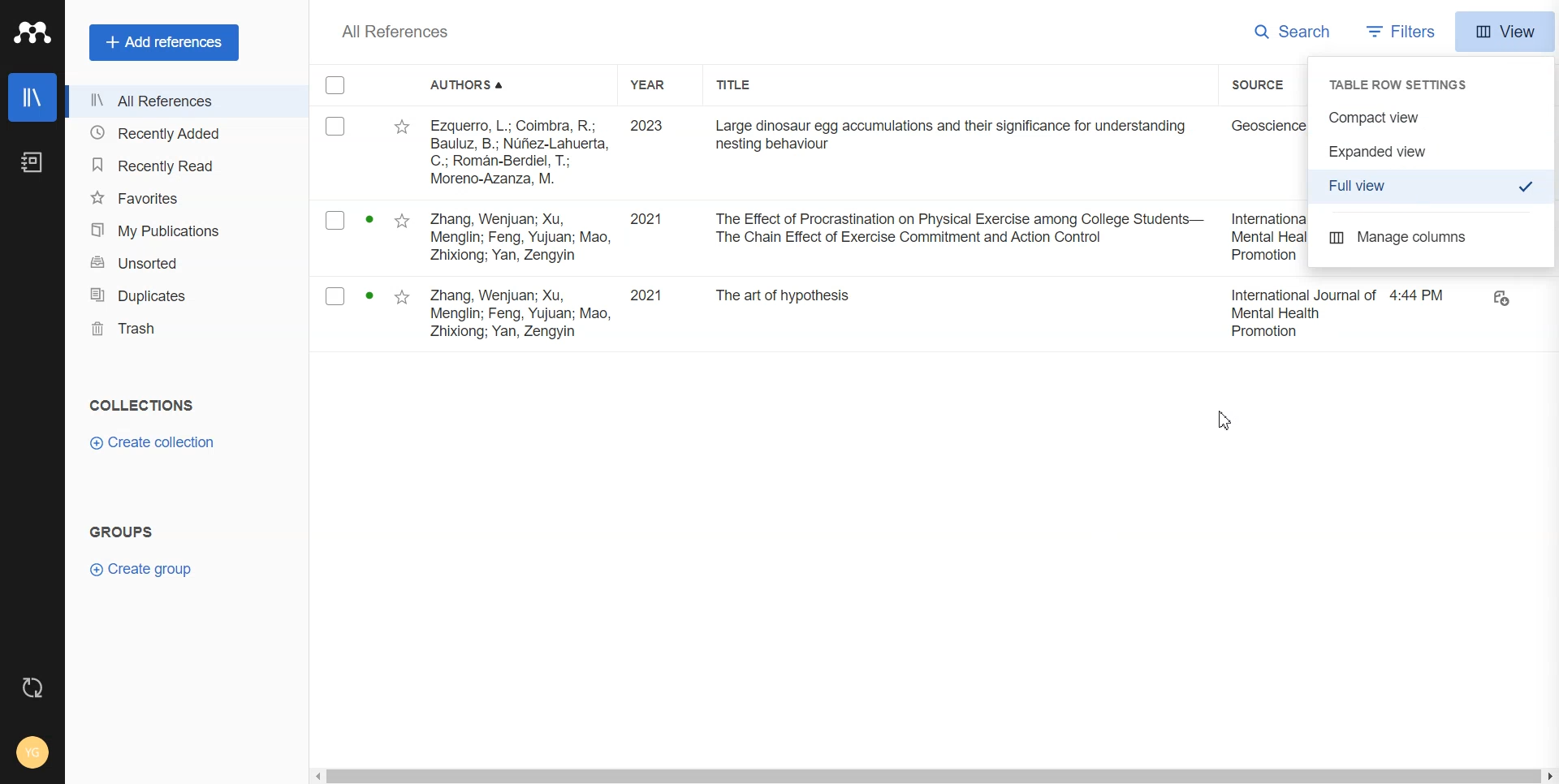  I want to click on Notebook , so click(34, 163).